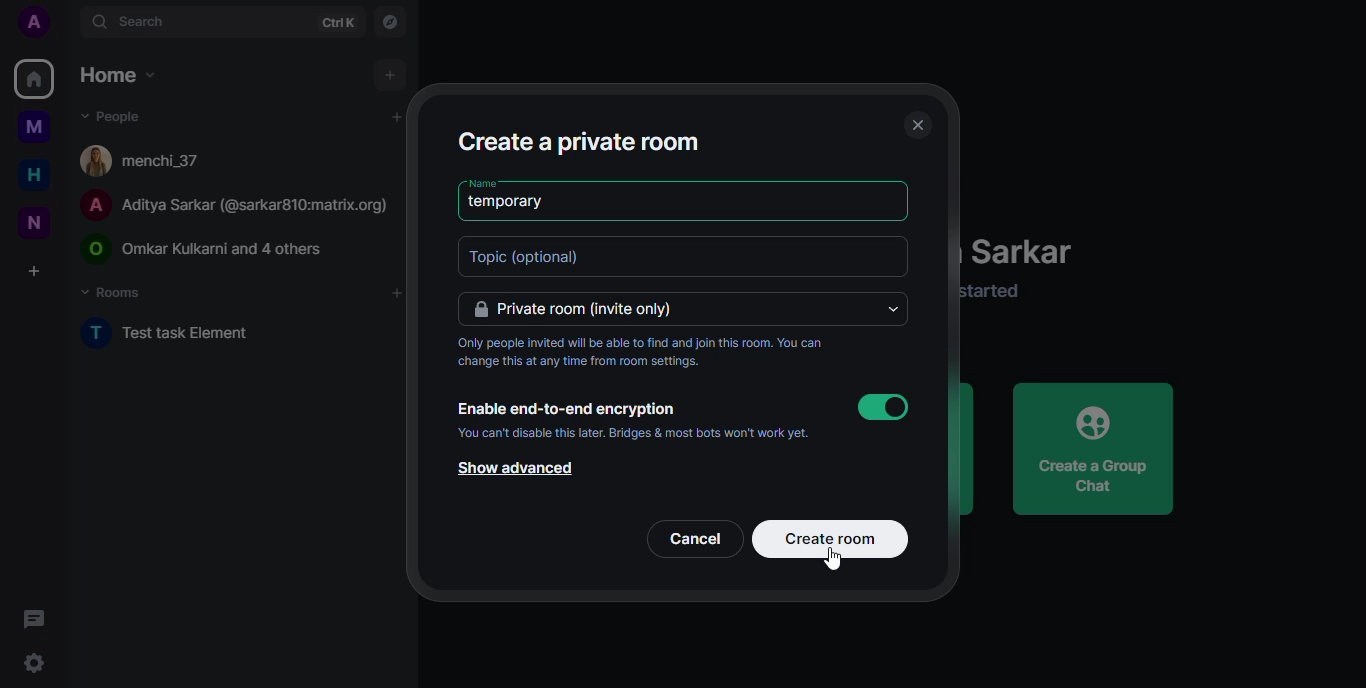 The image size is (1366, 688). Describe the element at coordinates (204, 250) in the screenshot. I see `© Omkar Kulkarni and 4 others` at that location.